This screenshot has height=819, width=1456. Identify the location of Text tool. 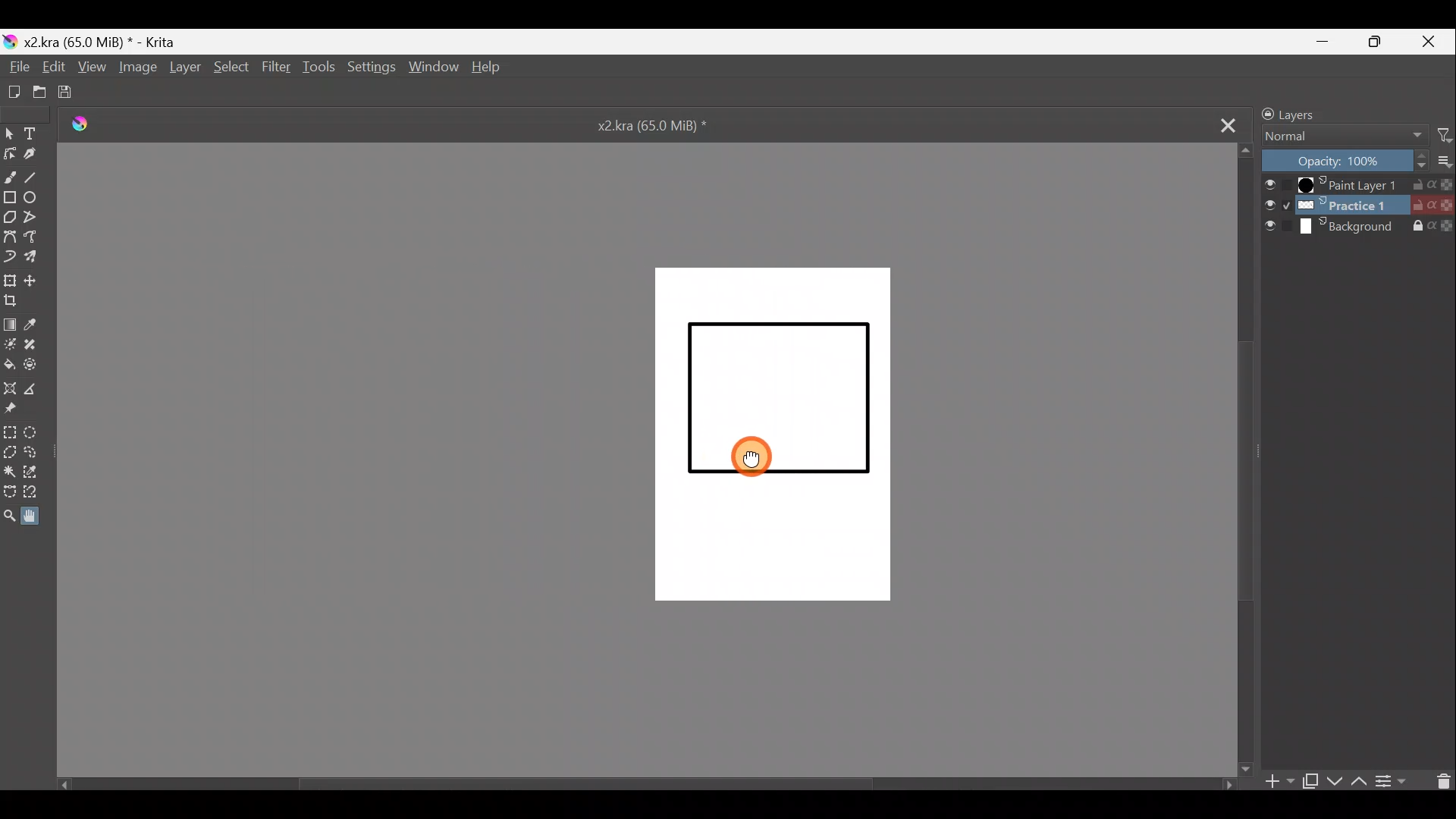
(34, 134).